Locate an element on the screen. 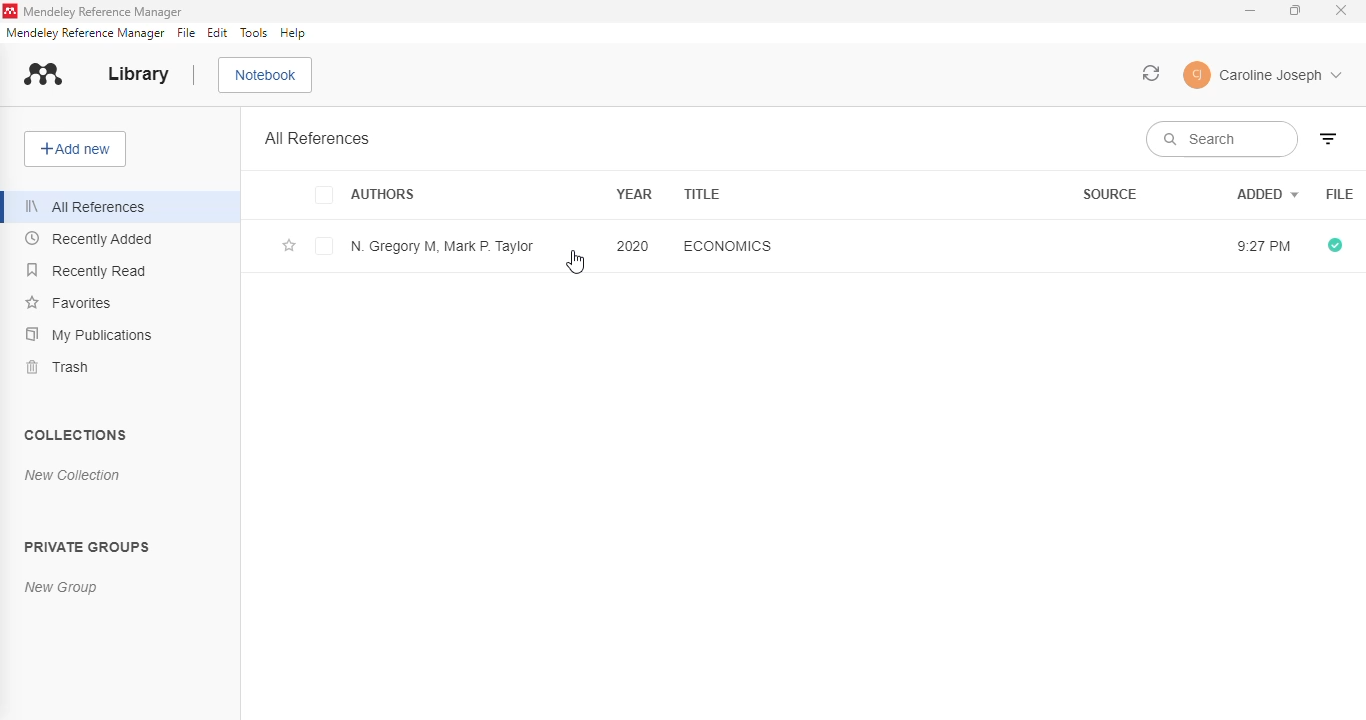 This screenshot has width=1366, height=720. 9:27 PM is located at coordinates (1264, 245).